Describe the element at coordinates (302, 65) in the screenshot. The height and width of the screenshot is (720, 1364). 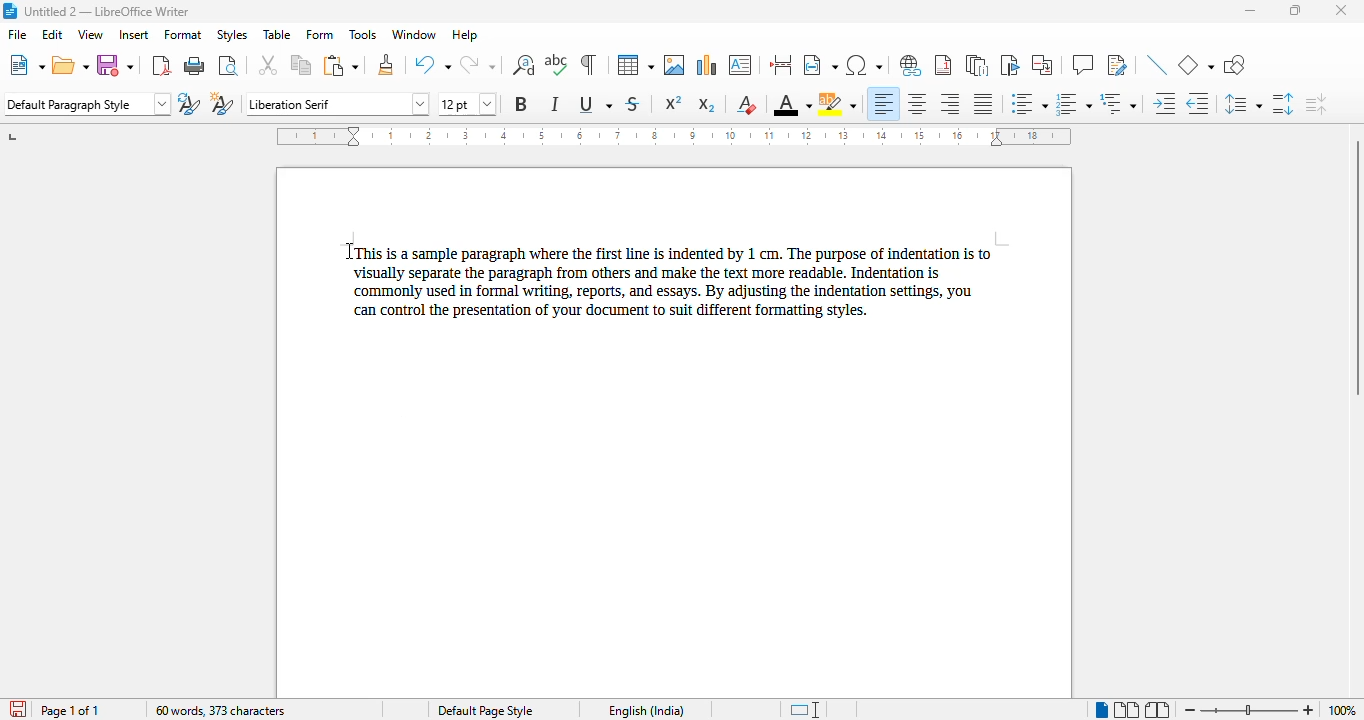
I see `copy` at that location.